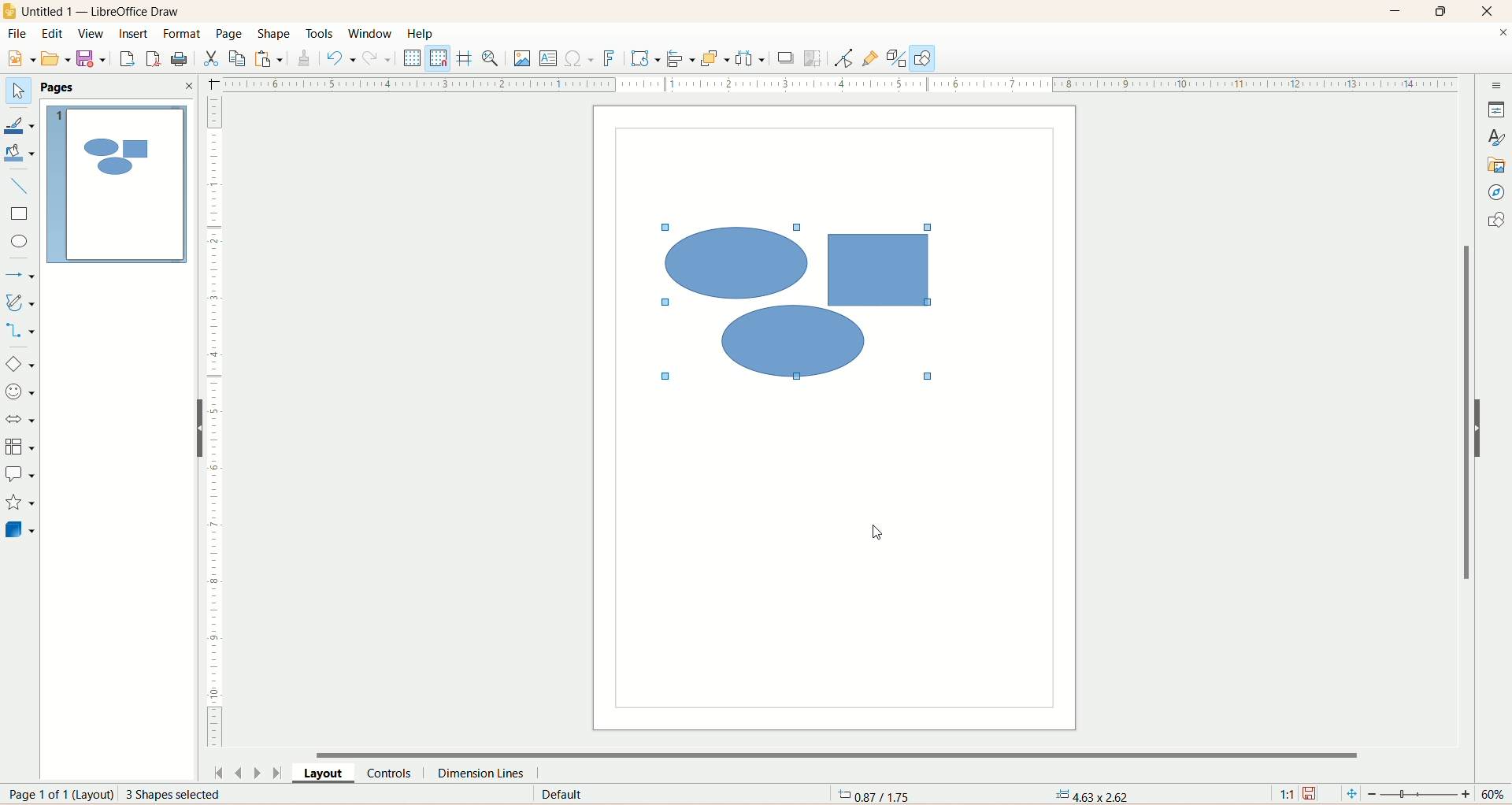  I want to click on print, so click(180, 59).